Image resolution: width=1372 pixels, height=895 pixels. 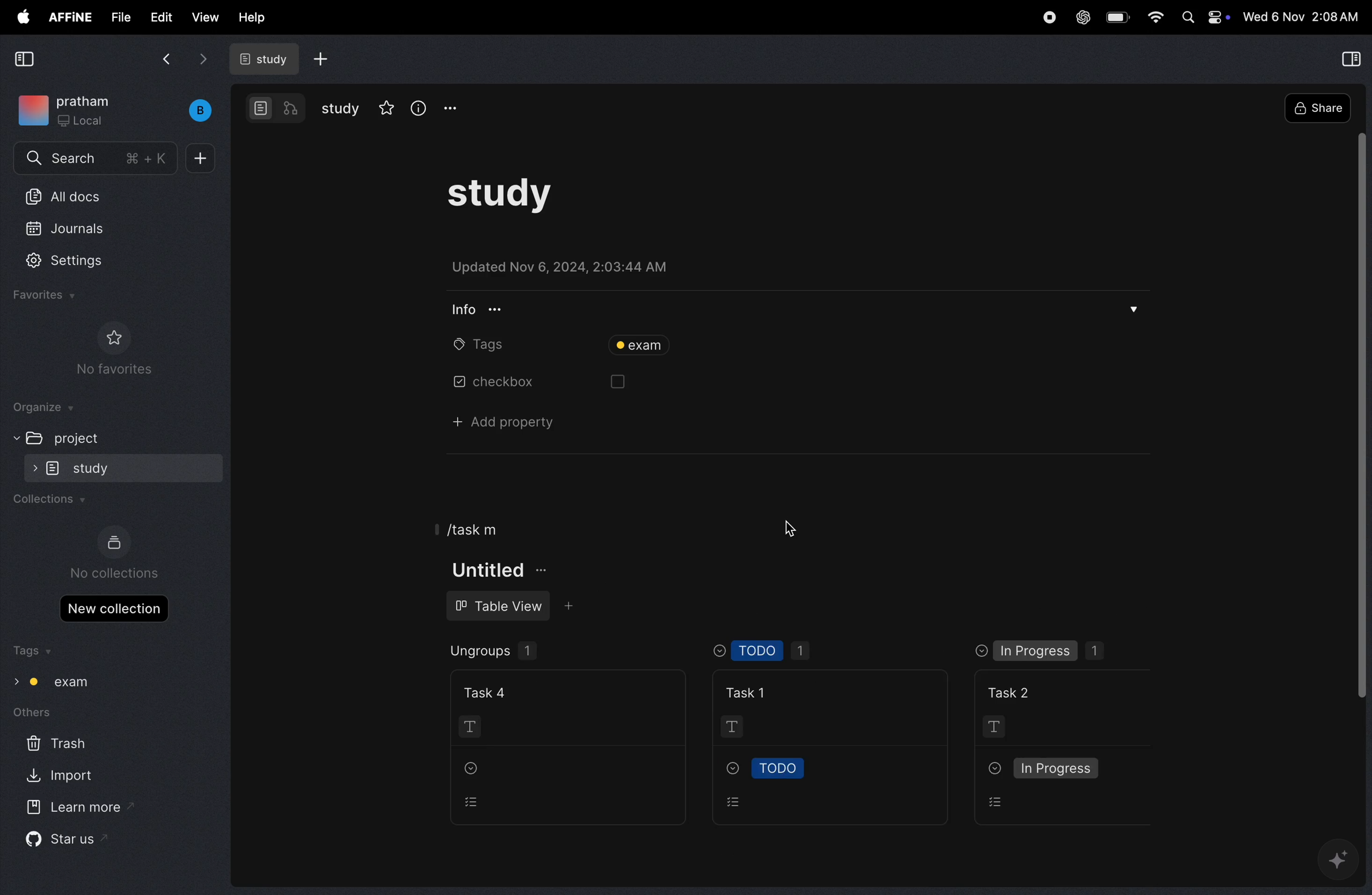 What do you see at coordinates (19, 17) in the screenshot?
I see `apple menu` at bounding box center [19, 17].